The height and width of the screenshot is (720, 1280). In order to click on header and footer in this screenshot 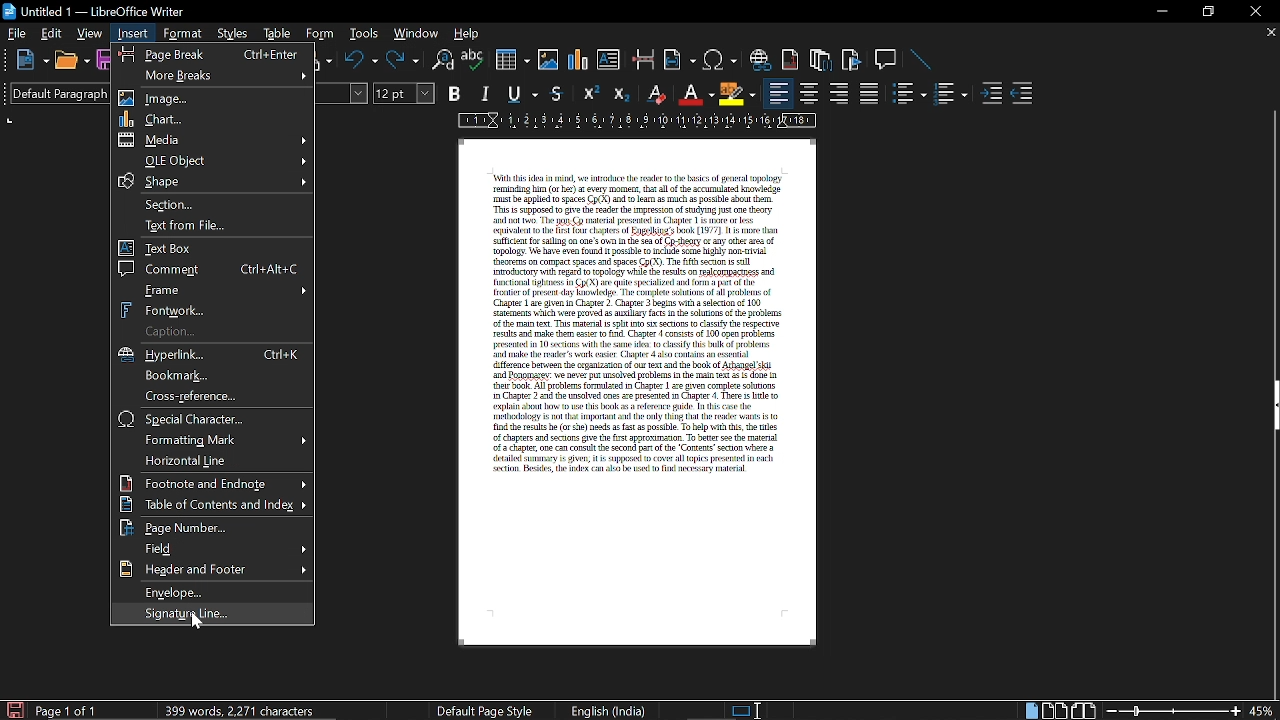, I will do `click(210, 591)`.